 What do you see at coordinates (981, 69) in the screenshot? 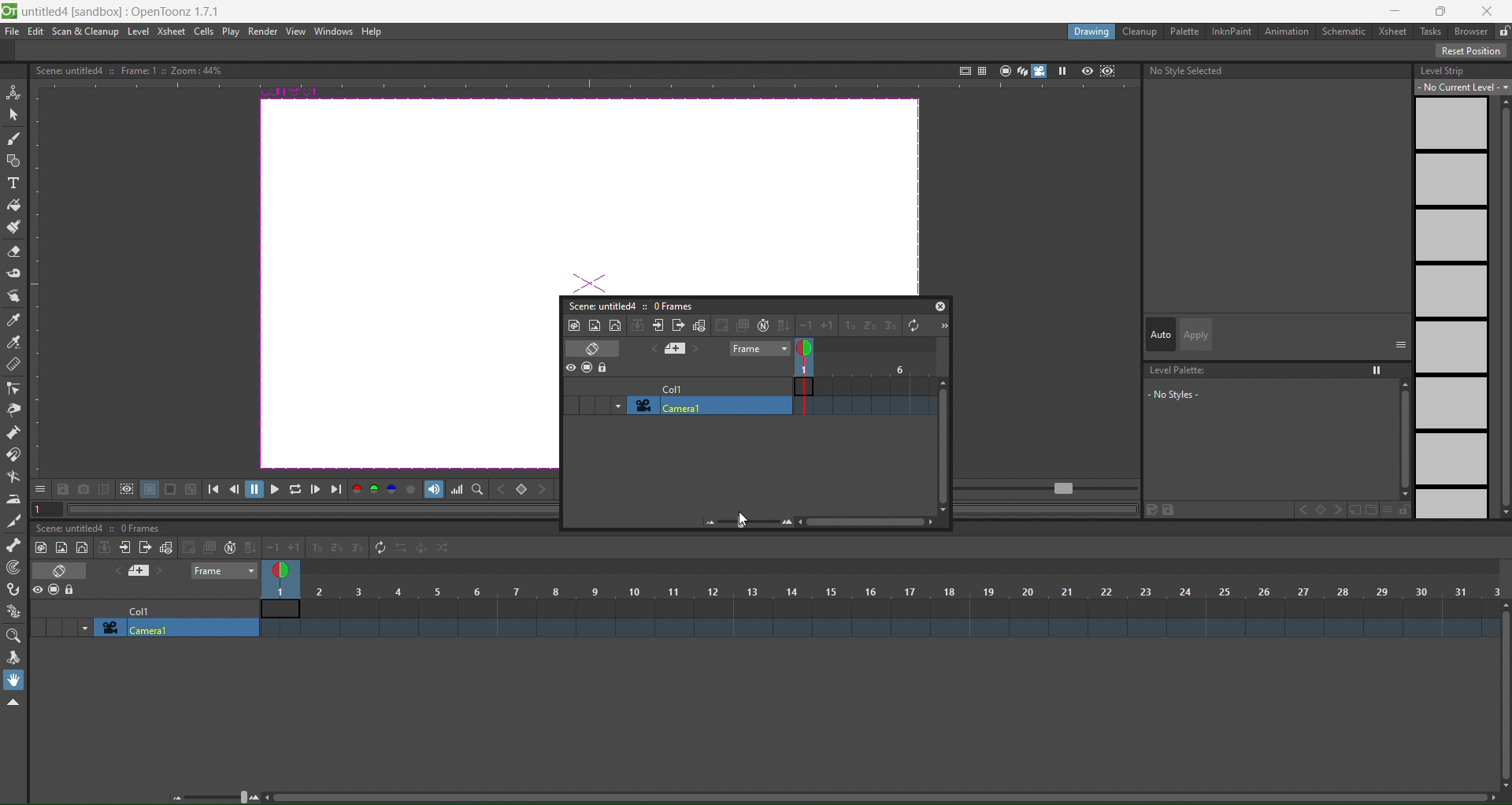
I see `field guide` at bounding box center [981, 69].